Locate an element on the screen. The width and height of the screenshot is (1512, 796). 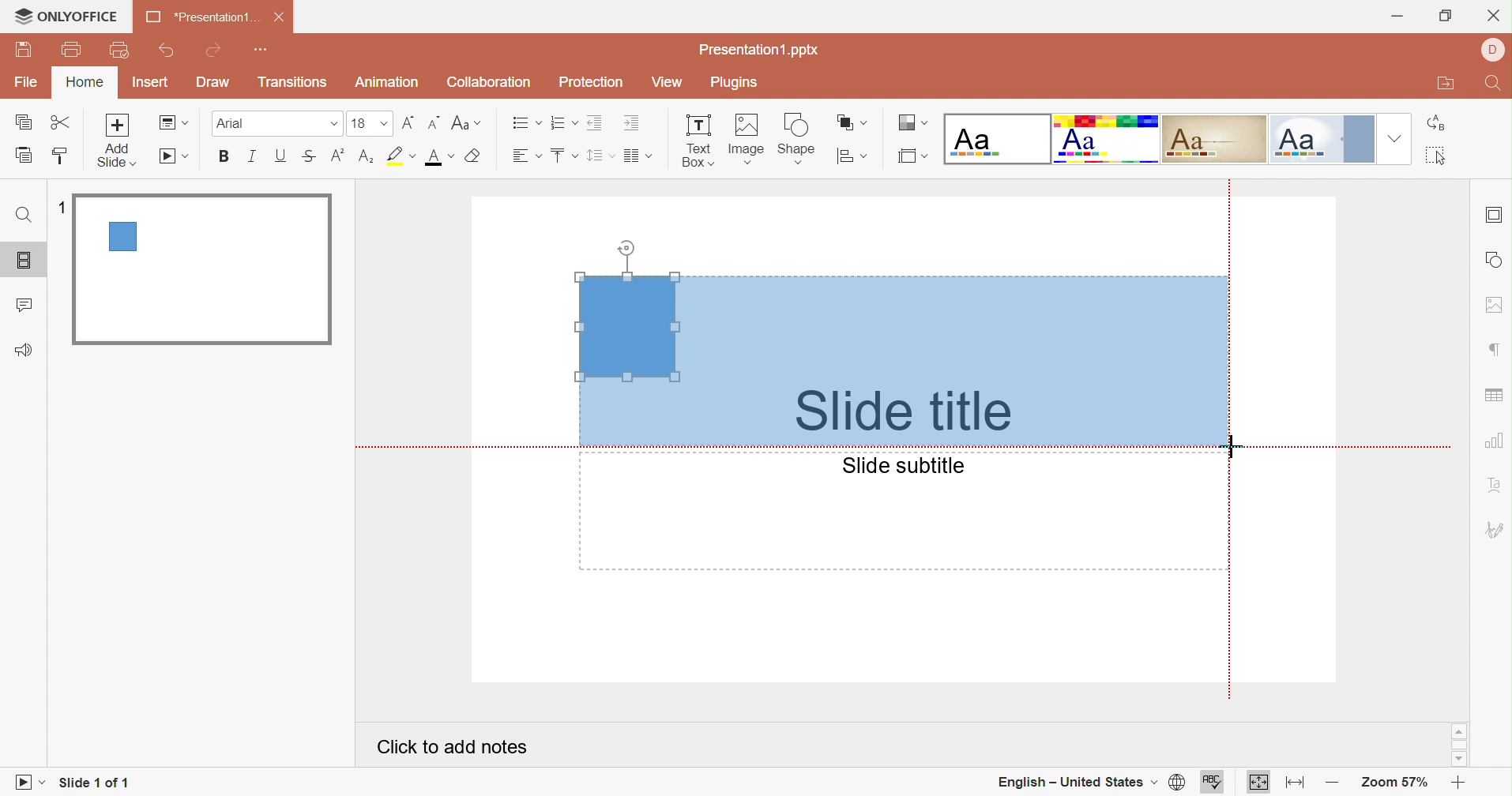
Quick print is located at coordinates (120, 51).